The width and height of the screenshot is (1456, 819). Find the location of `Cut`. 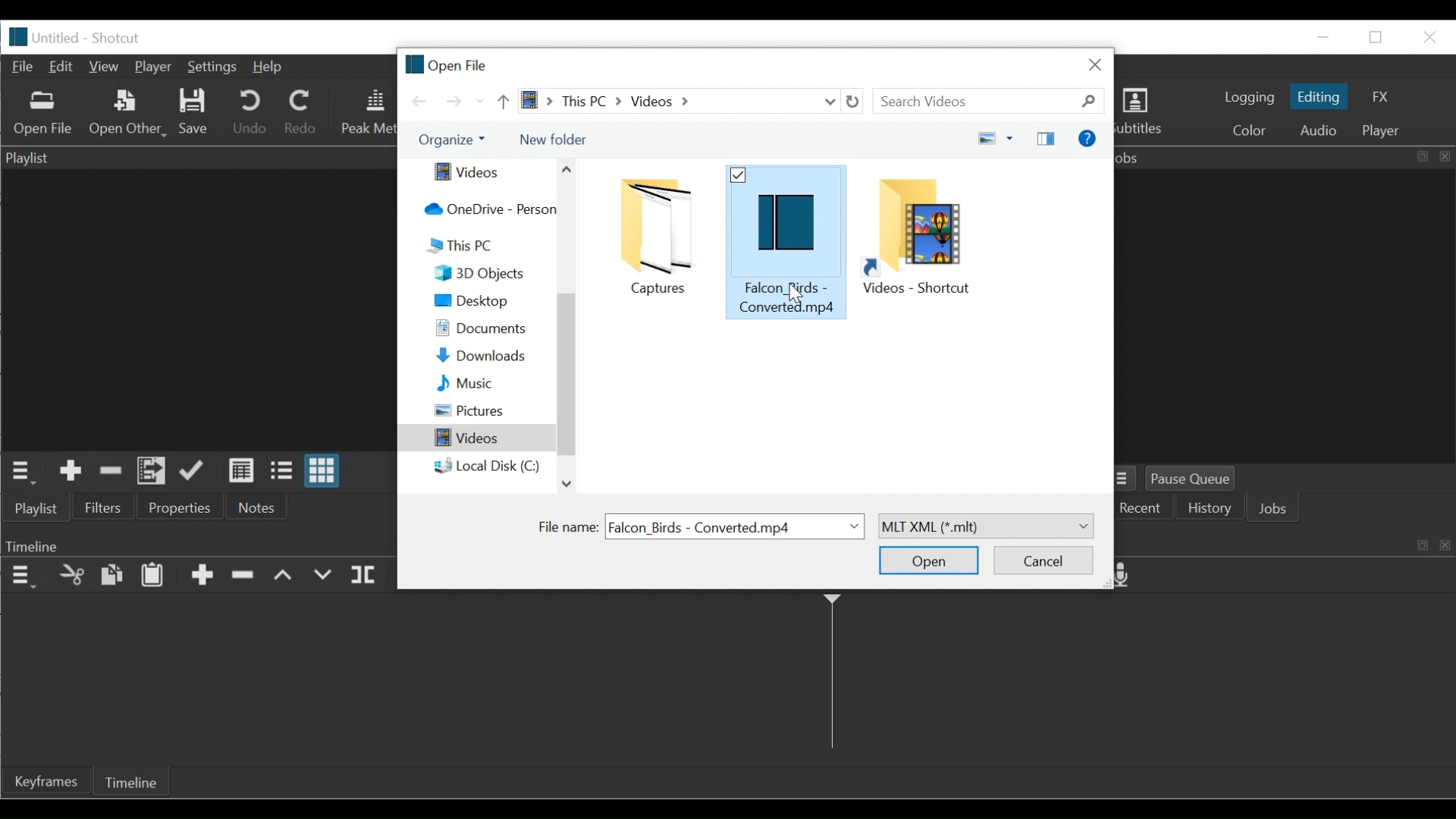

Cut is located at coordinates (71, 576).